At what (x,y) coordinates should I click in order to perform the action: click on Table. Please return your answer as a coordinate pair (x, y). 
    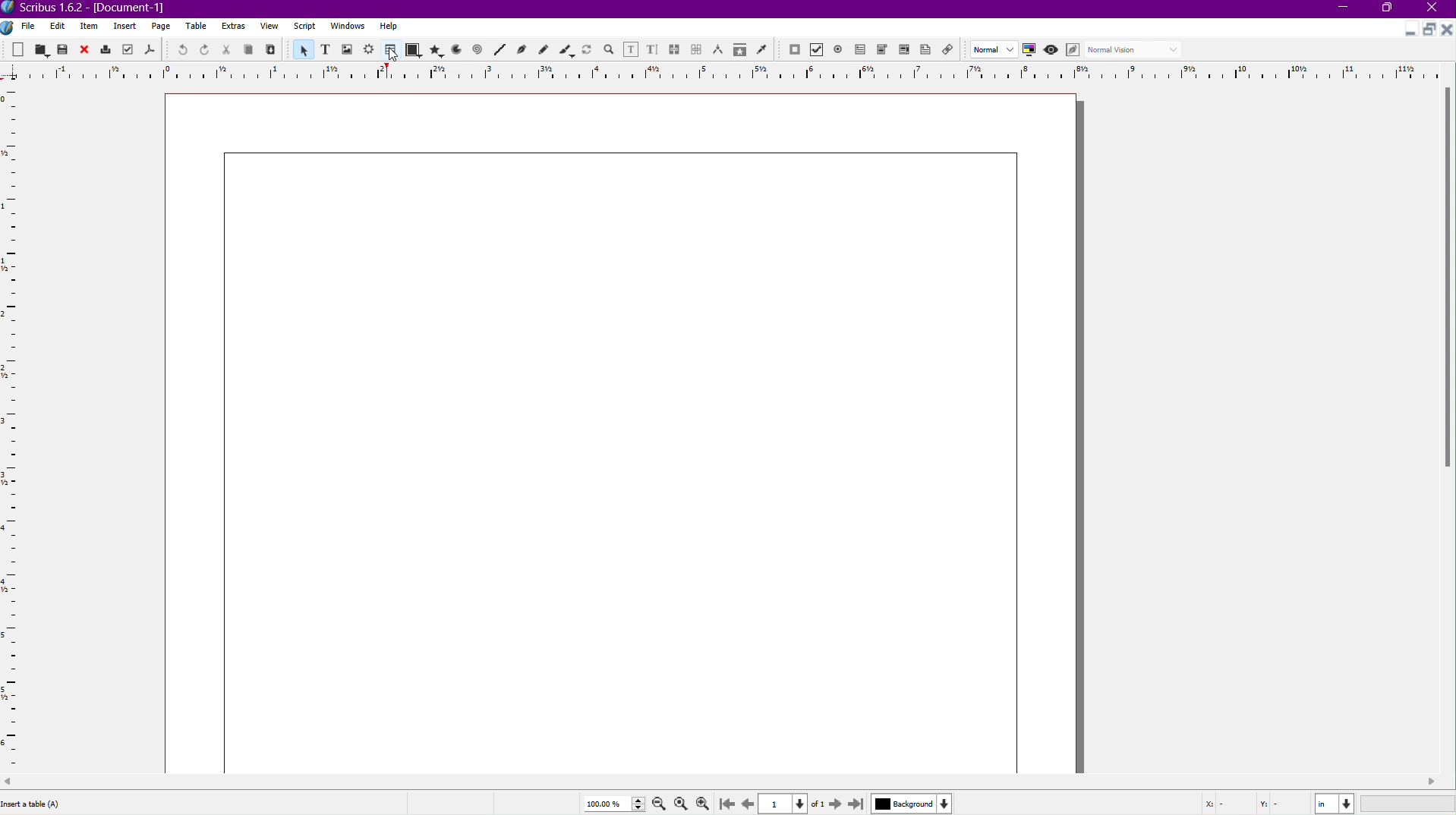
    Looking at the image, I should click on (389, 50).